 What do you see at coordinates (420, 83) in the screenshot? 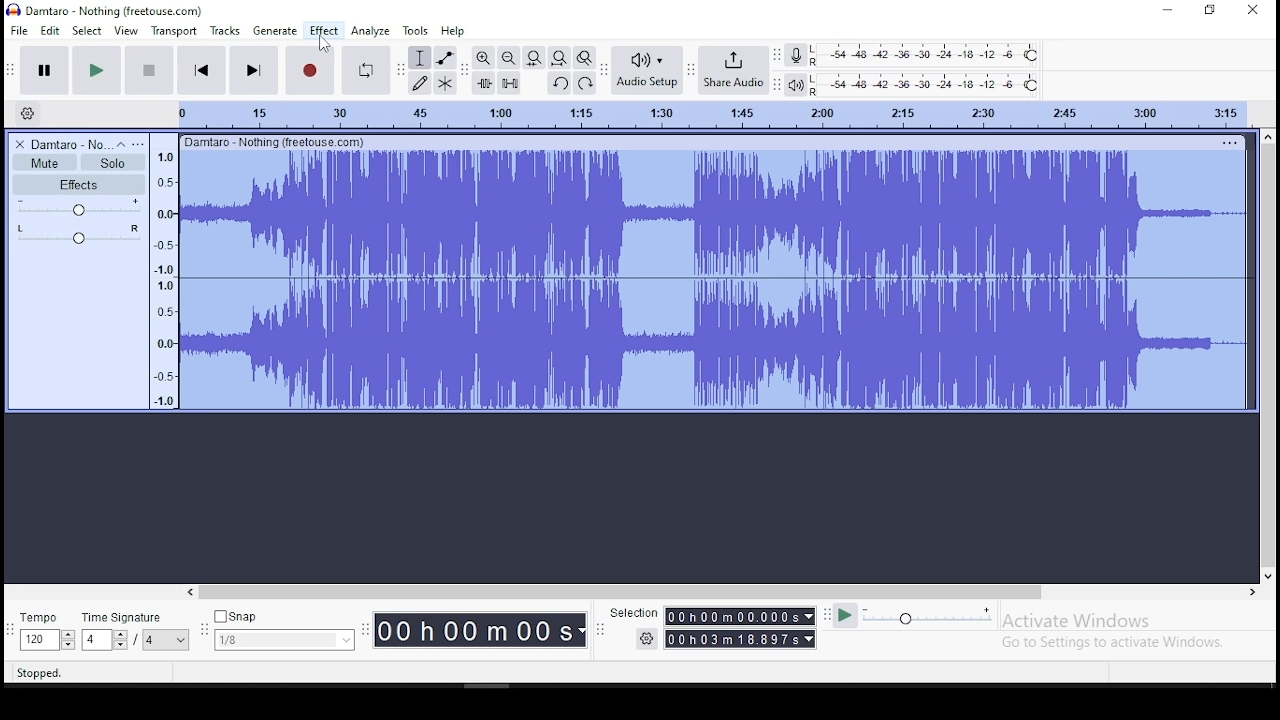
I see `draw tool` at bounding box center [420, 83].